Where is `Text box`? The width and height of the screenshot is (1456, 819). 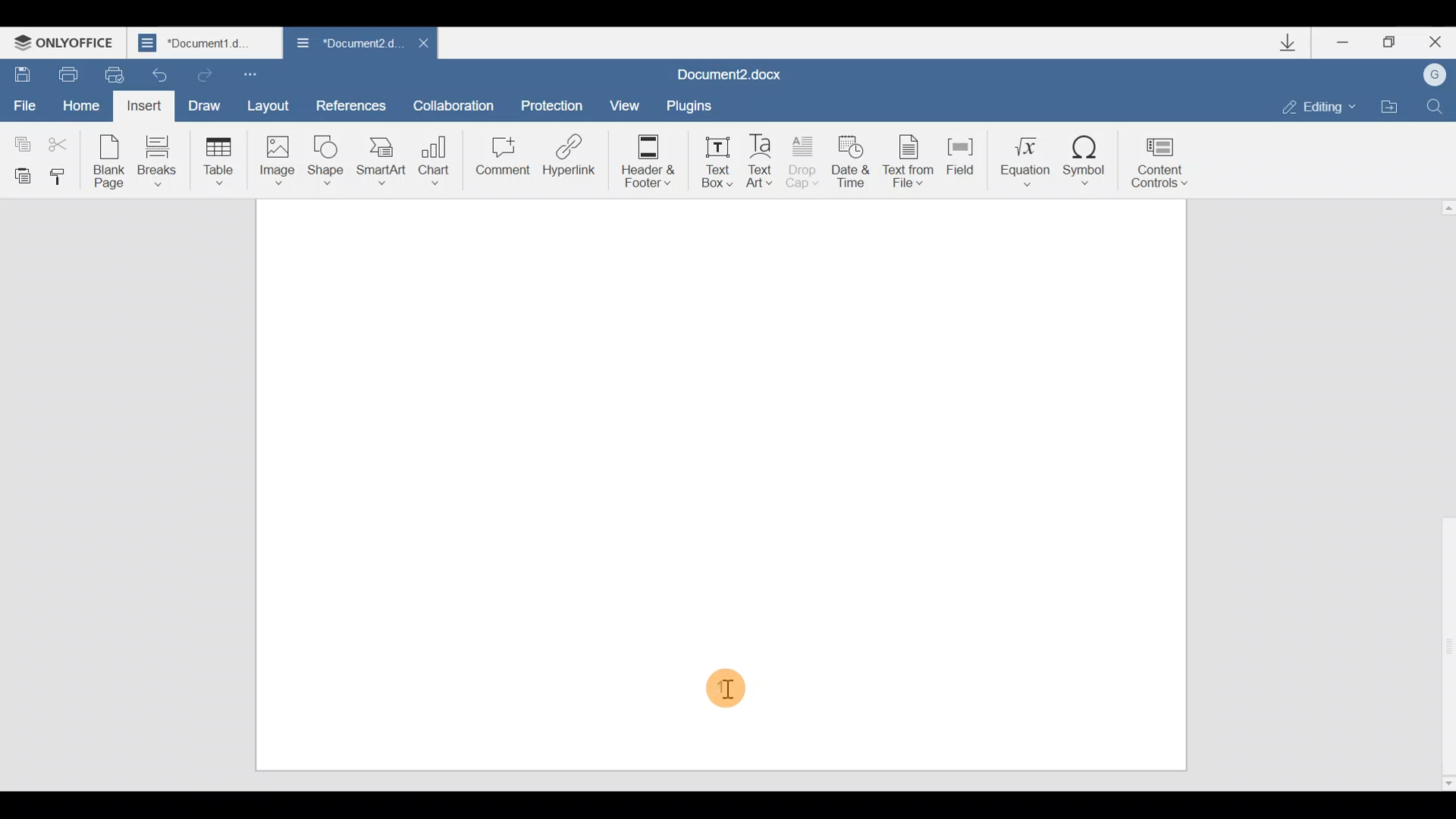
Text box is located at coordinates (713, 159).